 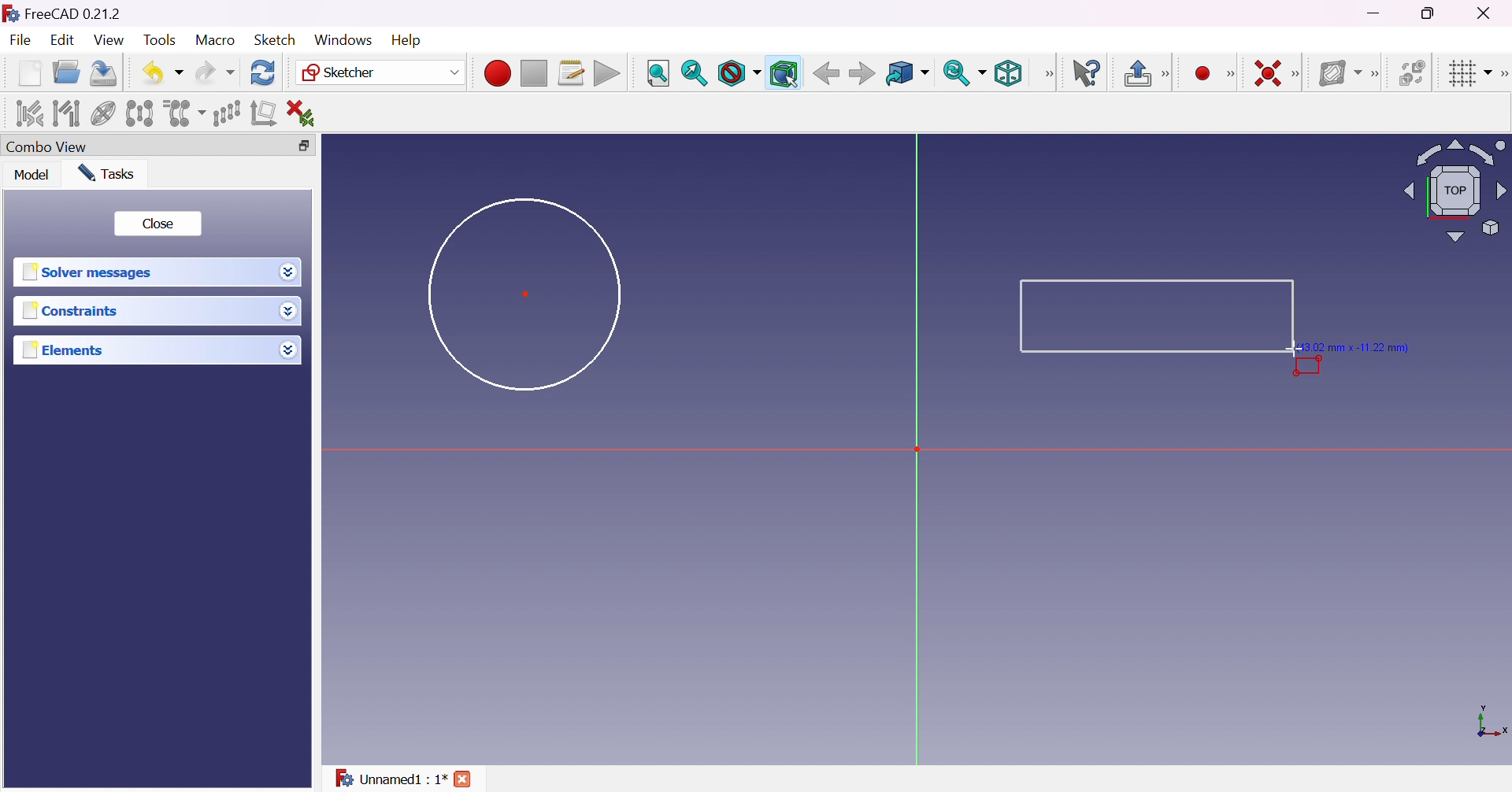 What do you see at coordinates (1468, 72) in the screenshot?
I see `Toggle grid` at bounding box center [1468, 72].